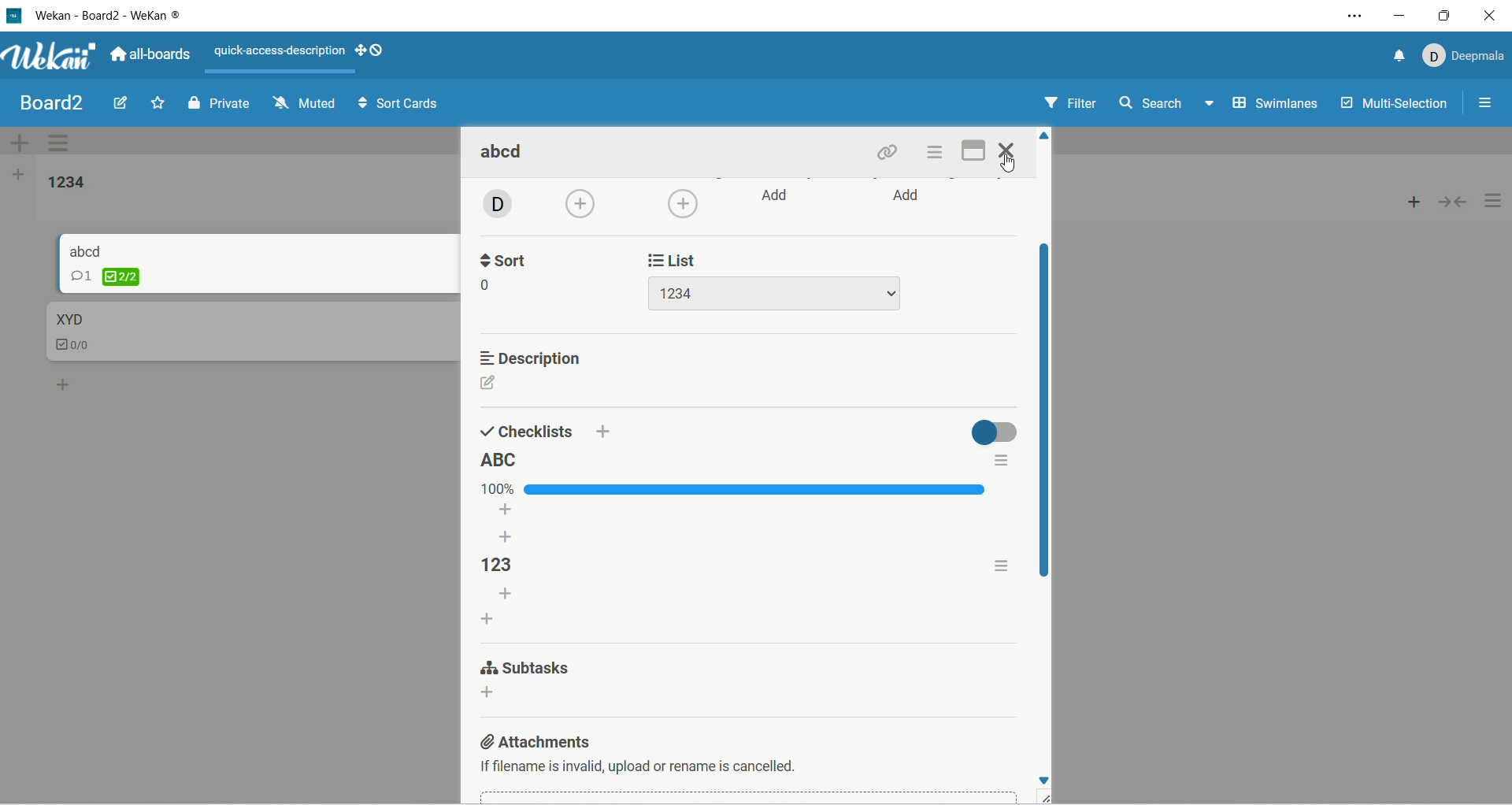  I want to click on add, so click(510, 595).